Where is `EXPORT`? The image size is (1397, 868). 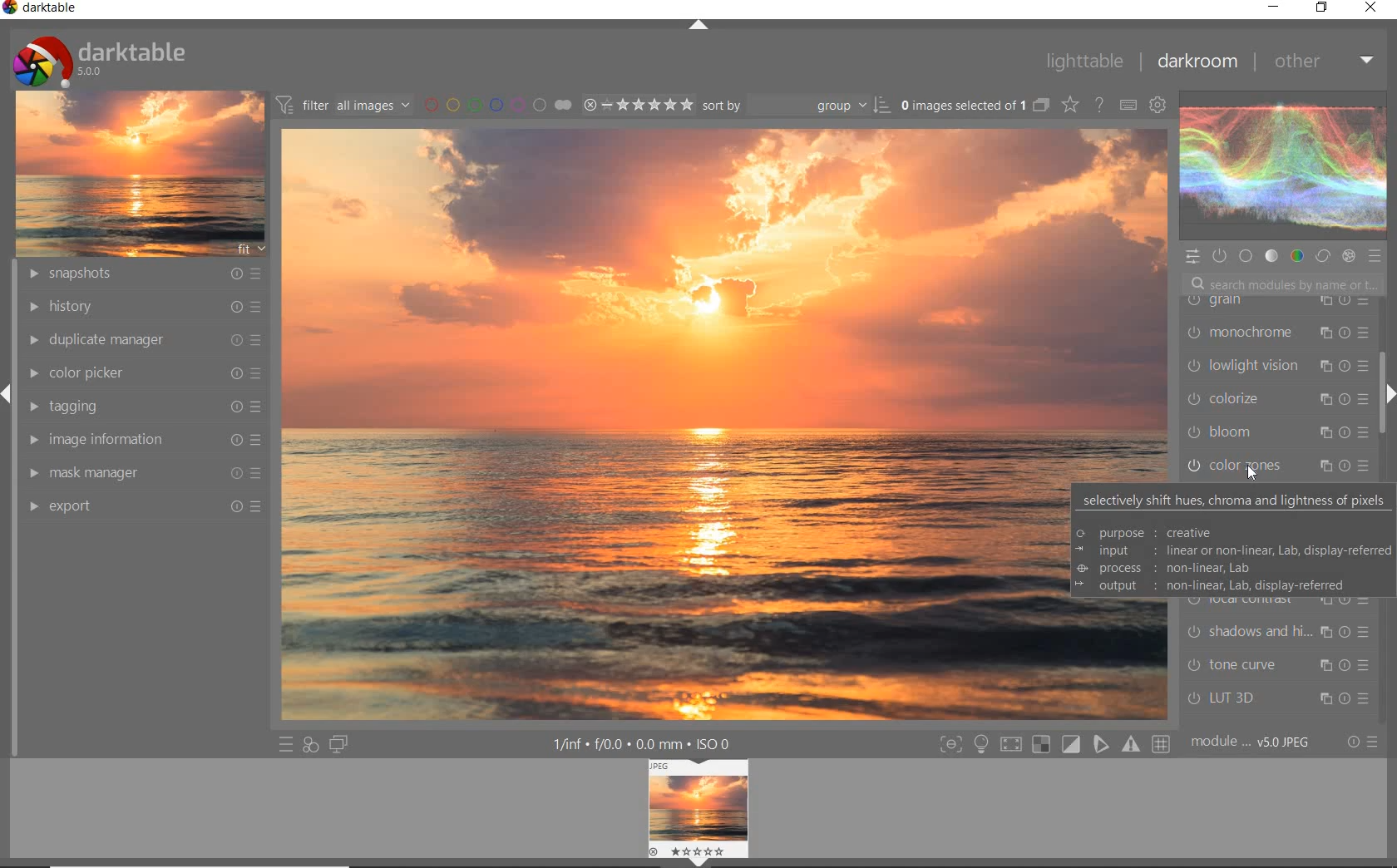 EXPORT is located at coordinates (146, 505).